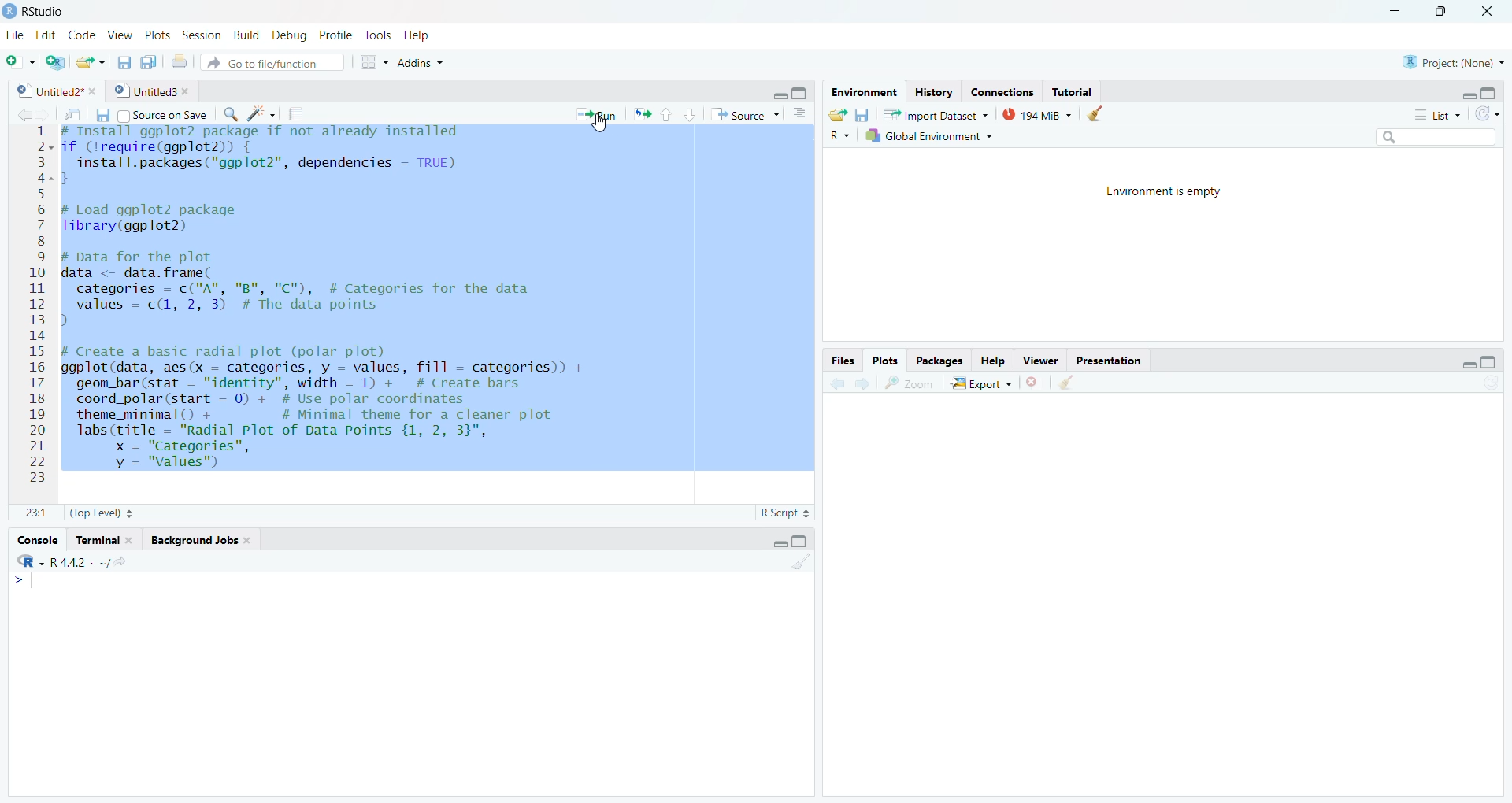 The height and width of the screenshot is (803, 1512). Describe the element at coordinates (91, 62) in the screenshot. I see `open an exist file` at that location.